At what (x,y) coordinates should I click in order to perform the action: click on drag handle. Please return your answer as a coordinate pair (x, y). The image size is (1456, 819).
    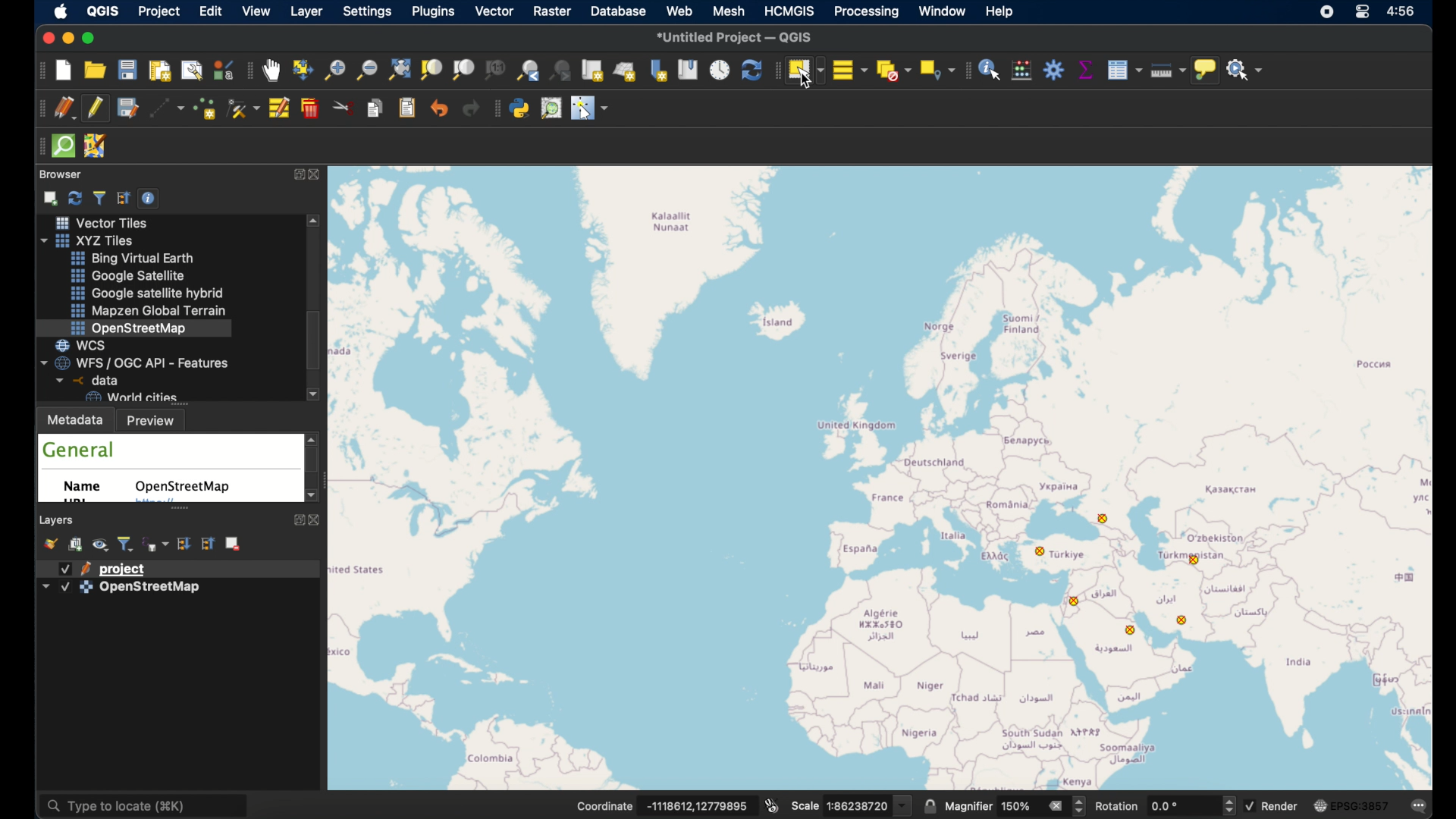
    Looking at the image, I should click on (775, 70).